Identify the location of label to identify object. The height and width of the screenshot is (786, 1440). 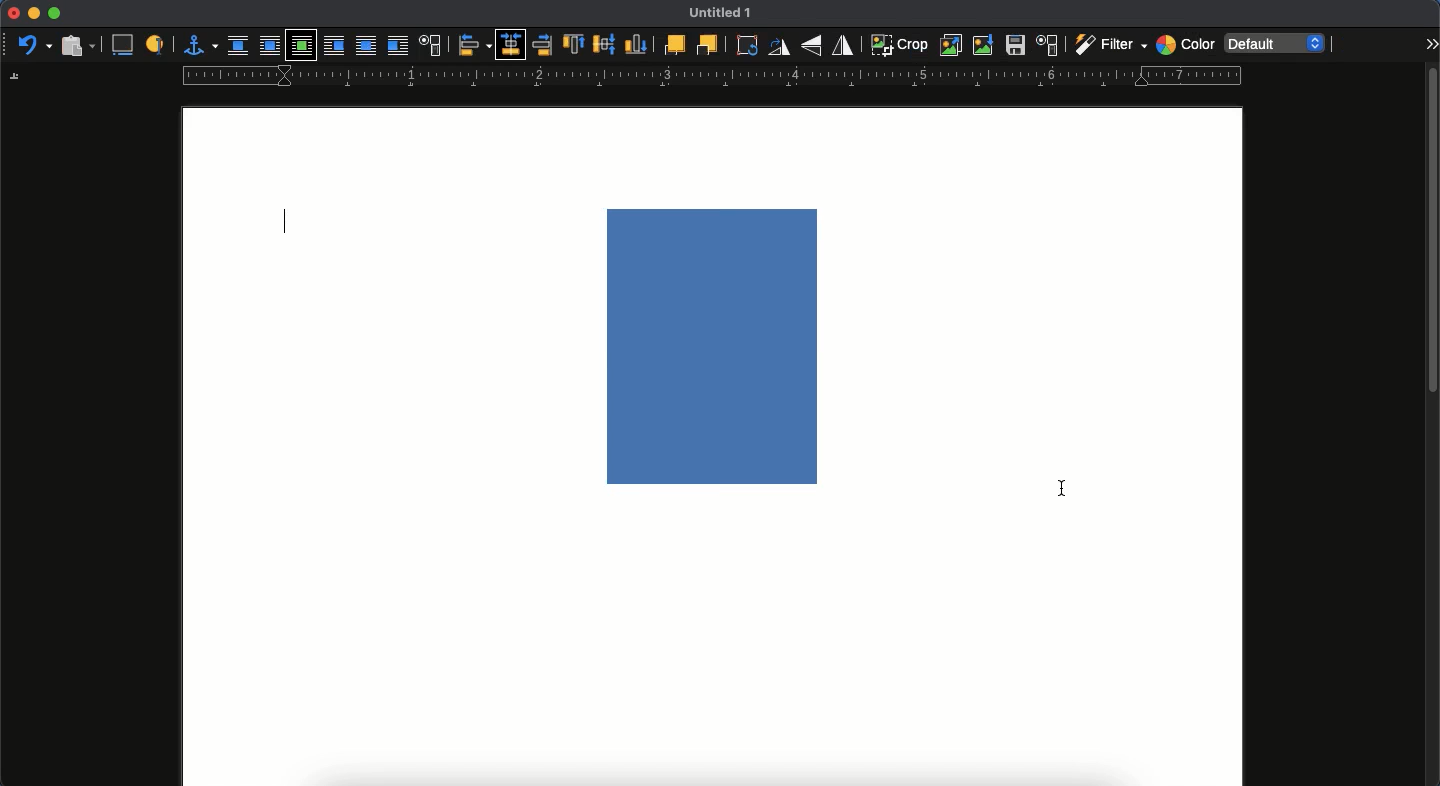
(155, 44).